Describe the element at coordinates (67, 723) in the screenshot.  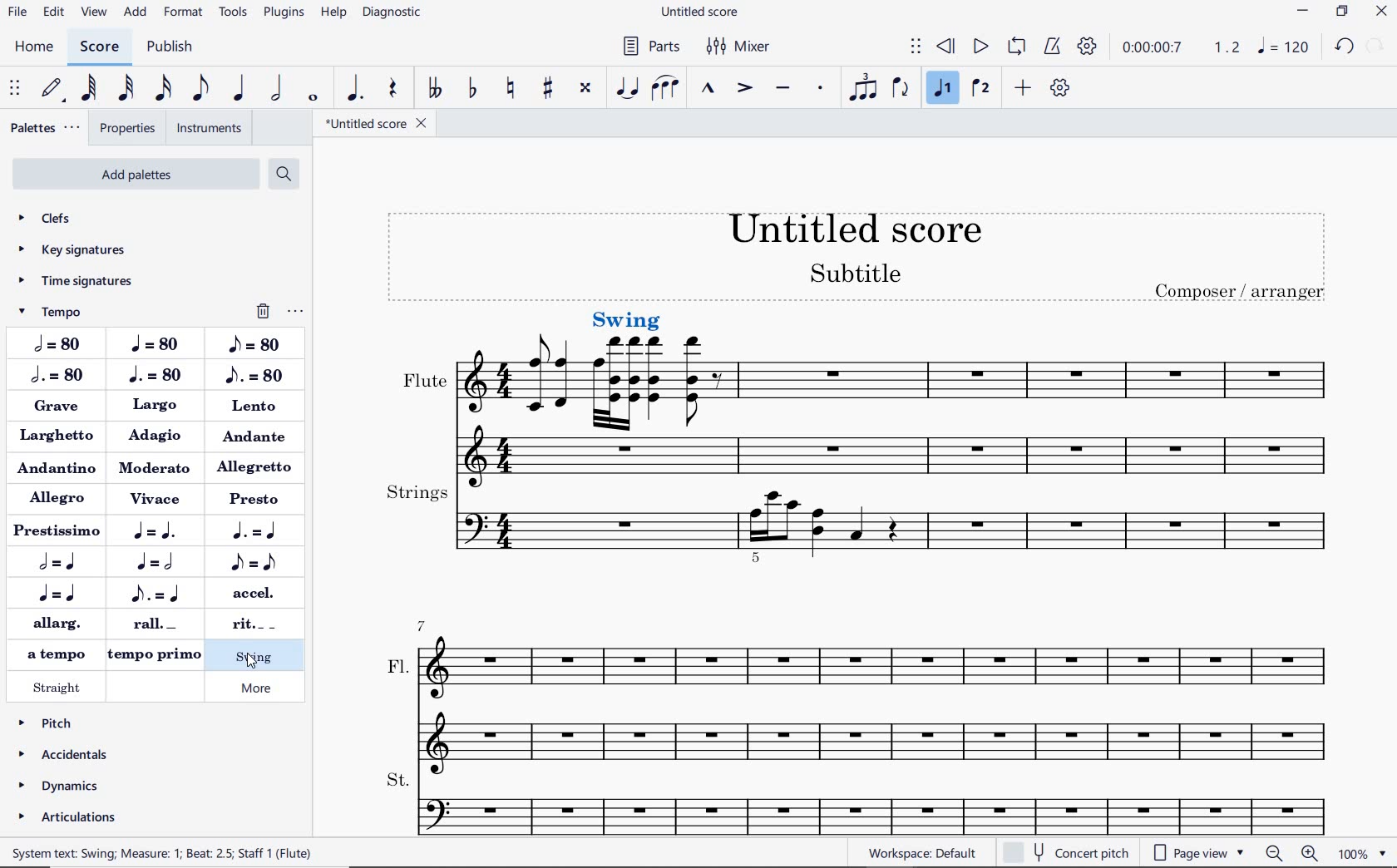
I see `pitch` at that location.